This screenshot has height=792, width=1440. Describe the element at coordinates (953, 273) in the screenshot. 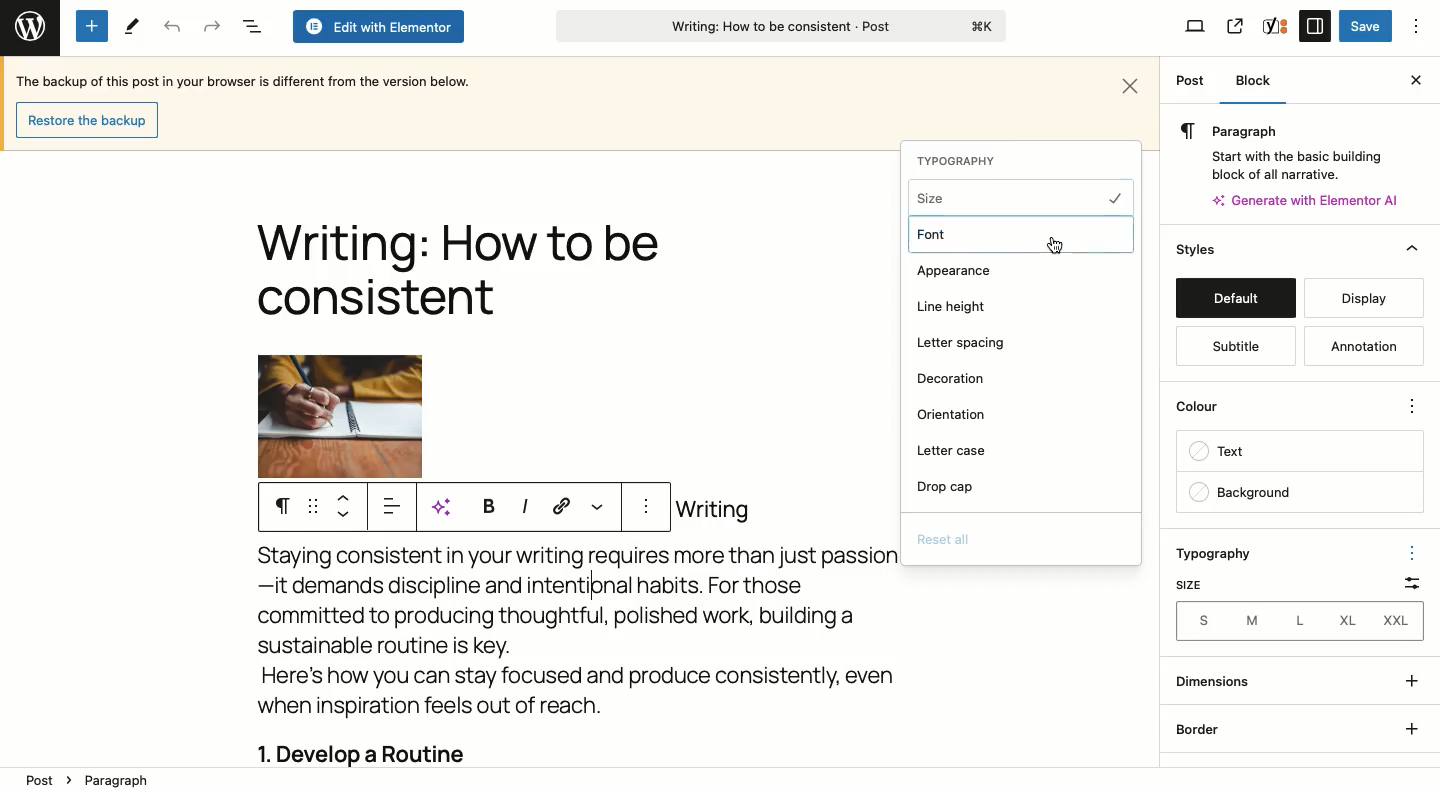

I see `Appearance` at that location.